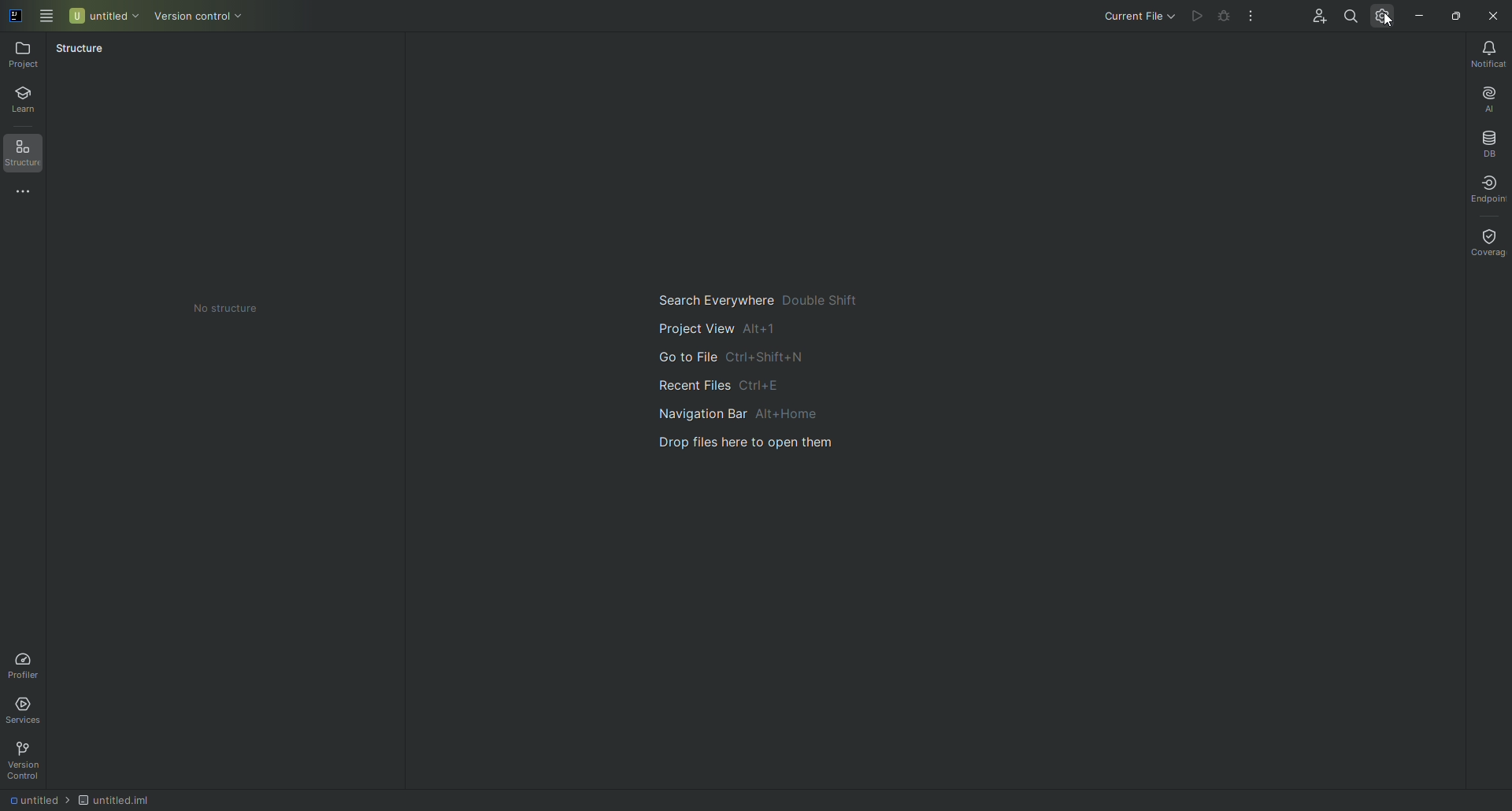 The height and width of the screenshot is (811, 1512). What do you see at coordinates (1486, 52) in the screenshot?
I see `Notifications` at bounding box center [1486, 52].